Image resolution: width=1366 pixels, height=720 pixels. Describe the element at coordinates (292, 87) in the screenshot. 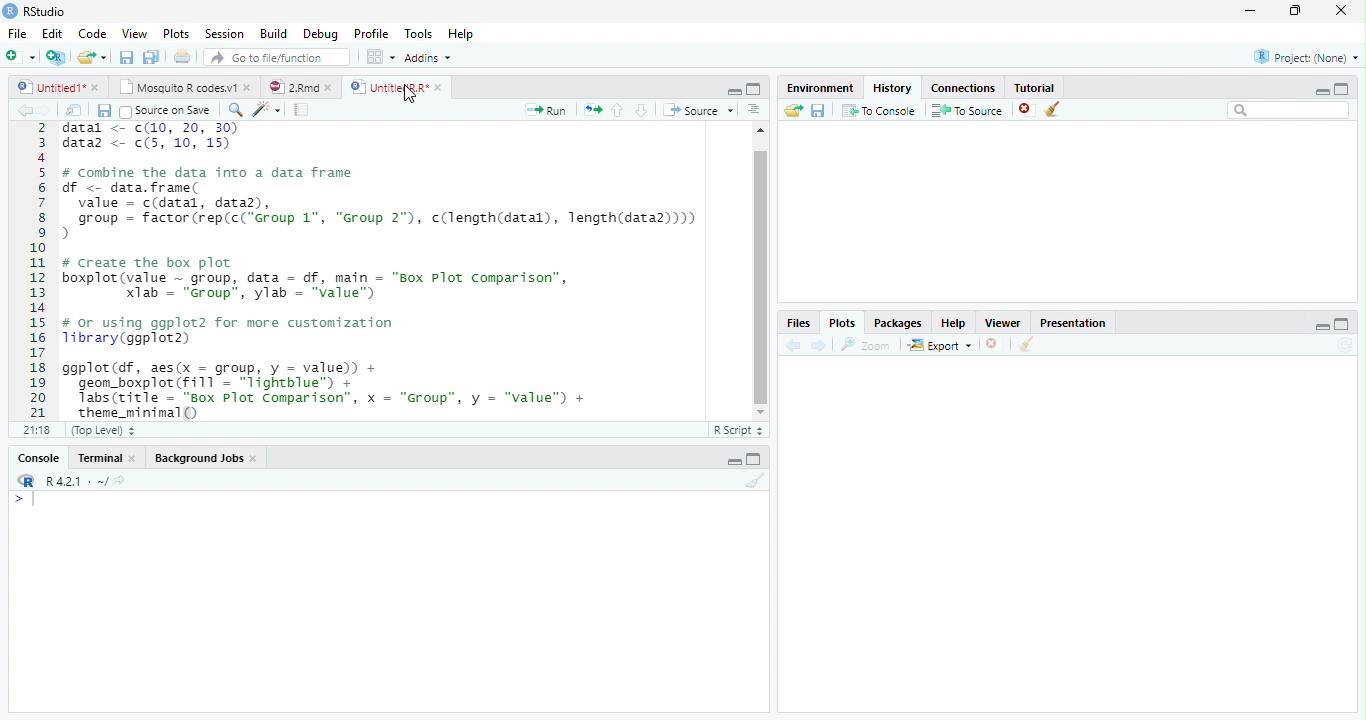

I see `2.Rmd` at that location.